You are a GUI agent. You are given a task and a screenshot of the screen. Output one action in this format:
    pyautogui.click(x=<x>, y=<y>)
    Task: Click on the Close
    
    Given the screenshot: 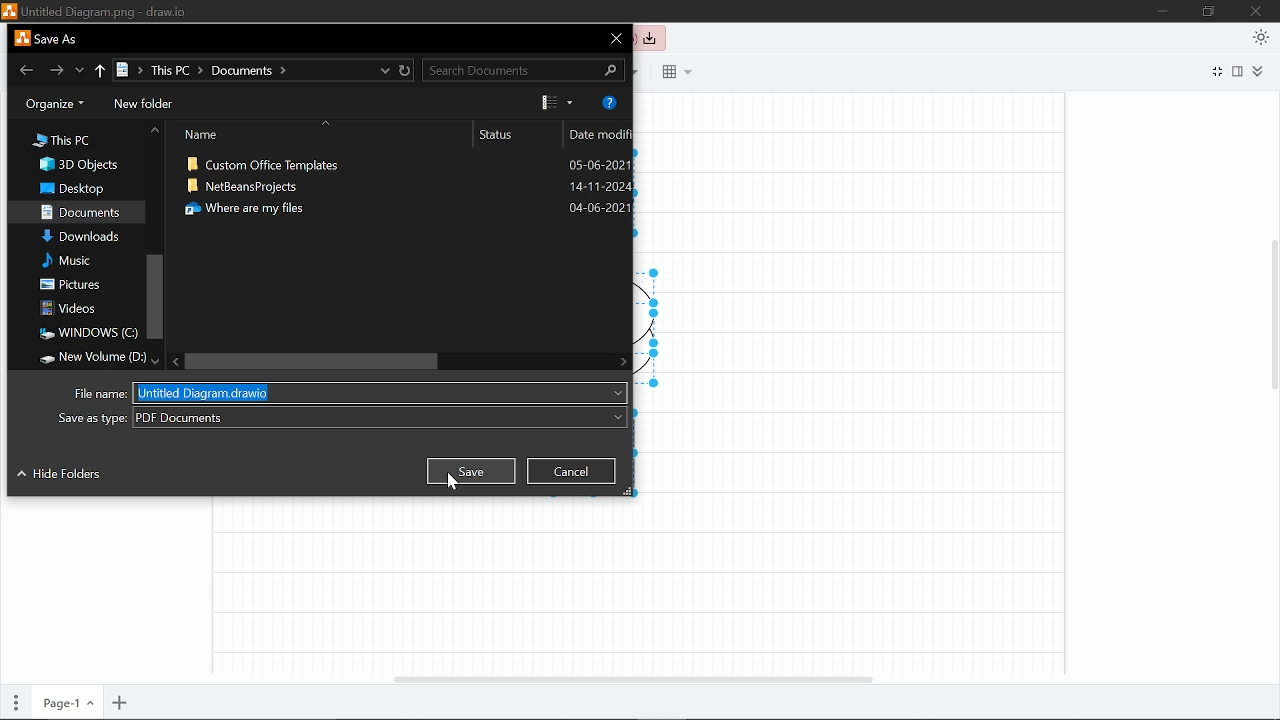 What is the action you would take?
    pyautogui.click(x=616, y=39)
    